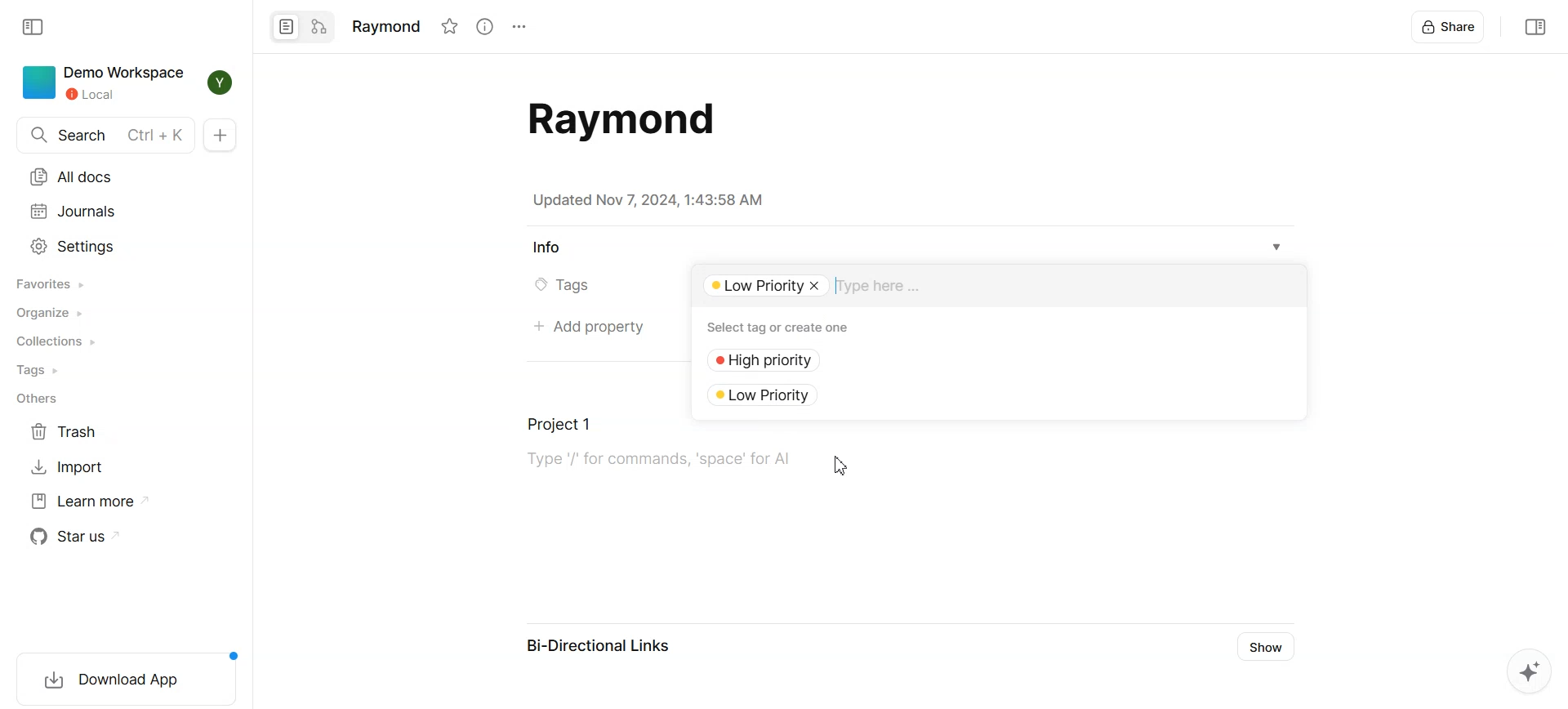 This screenshot has height=709, width=1568. What do you see at coordinates (1558, 354) in the screenshot?
I see `Vertical scrollbar` at bounding box center [1558, 354].